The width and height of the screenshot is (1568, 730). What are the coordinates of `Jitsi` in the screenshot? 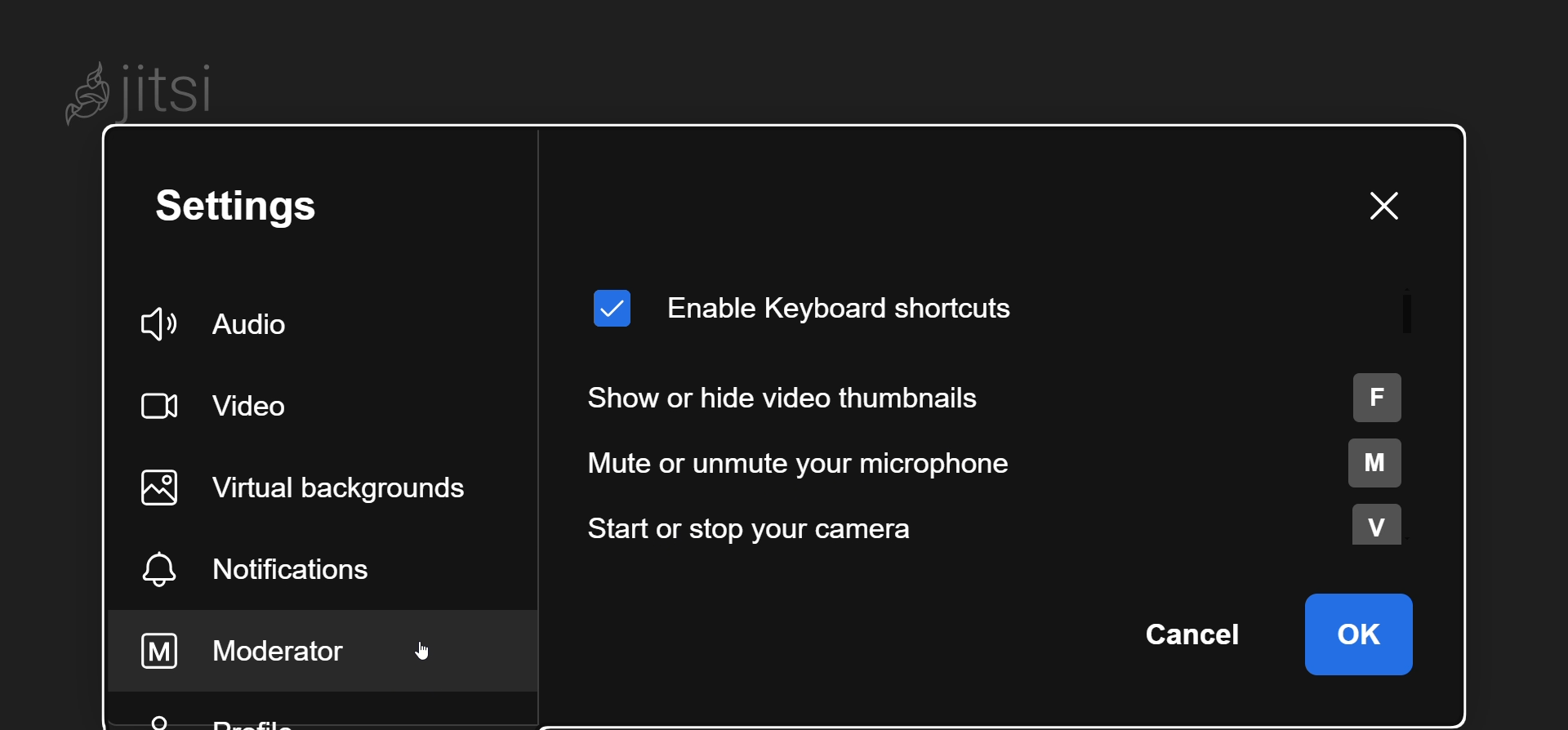 It's located at (134, 91).